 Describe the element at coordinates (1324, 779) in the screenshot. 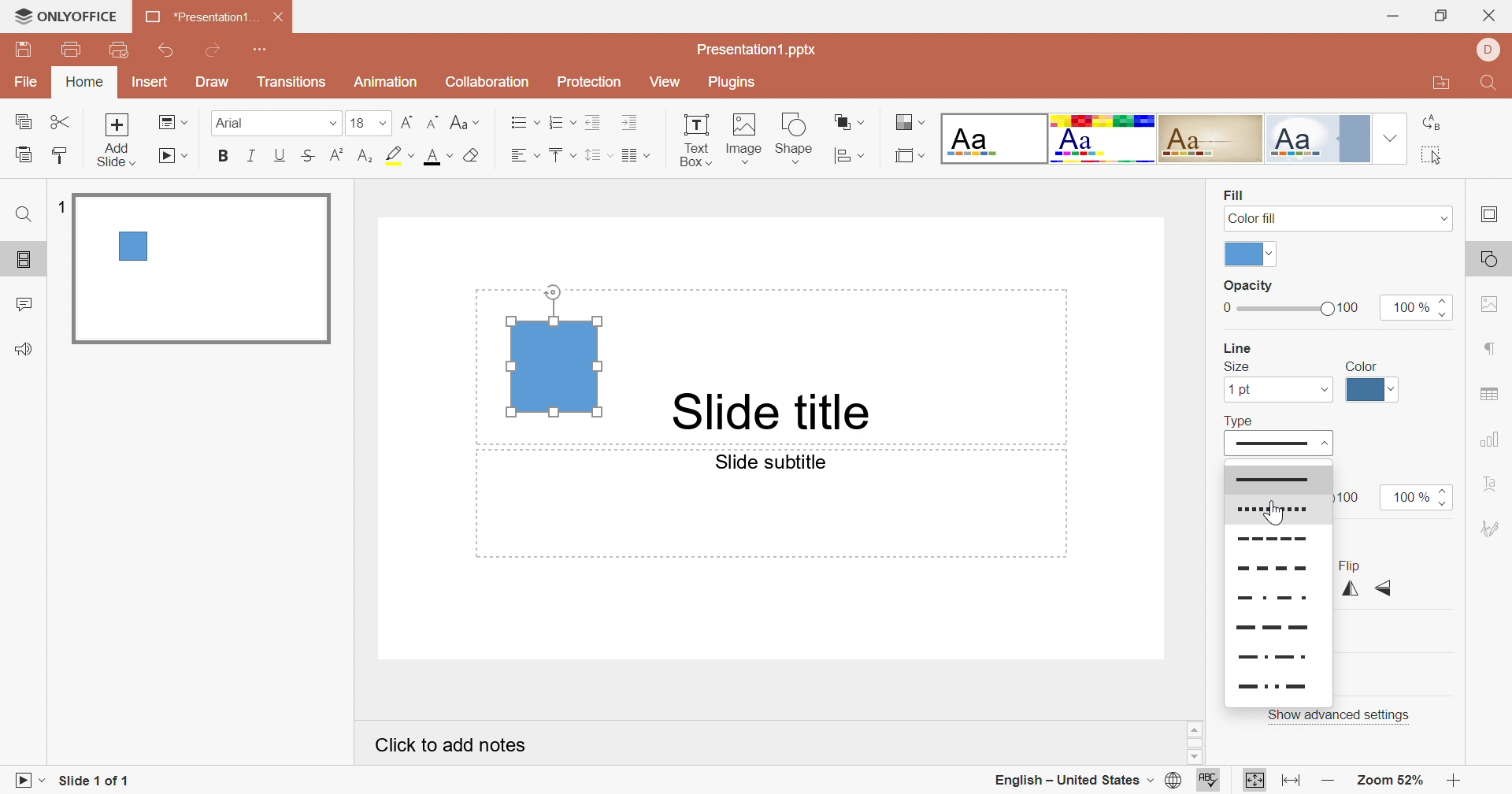

I see `Zoom out` at that location.